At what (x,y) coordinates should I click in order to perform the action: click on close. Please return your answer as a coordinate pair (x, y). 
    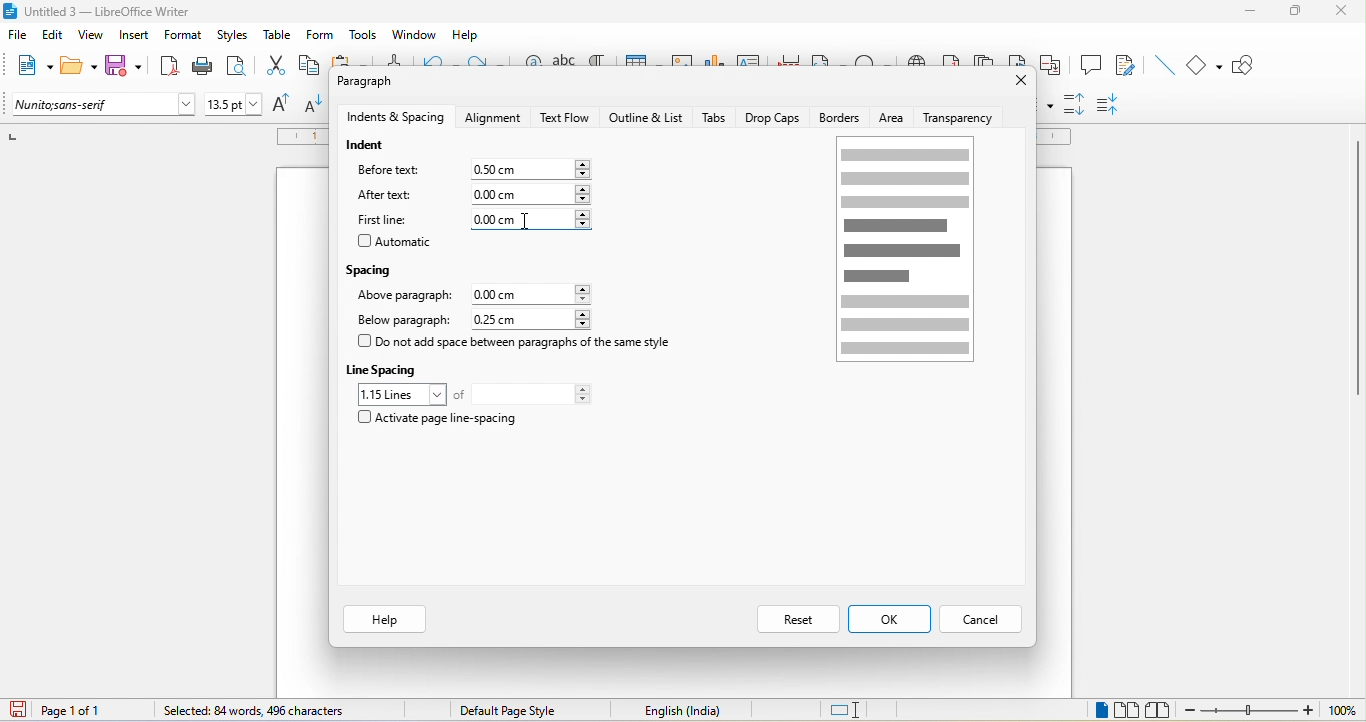
    Looking at the image, I should click on (1338, 10).